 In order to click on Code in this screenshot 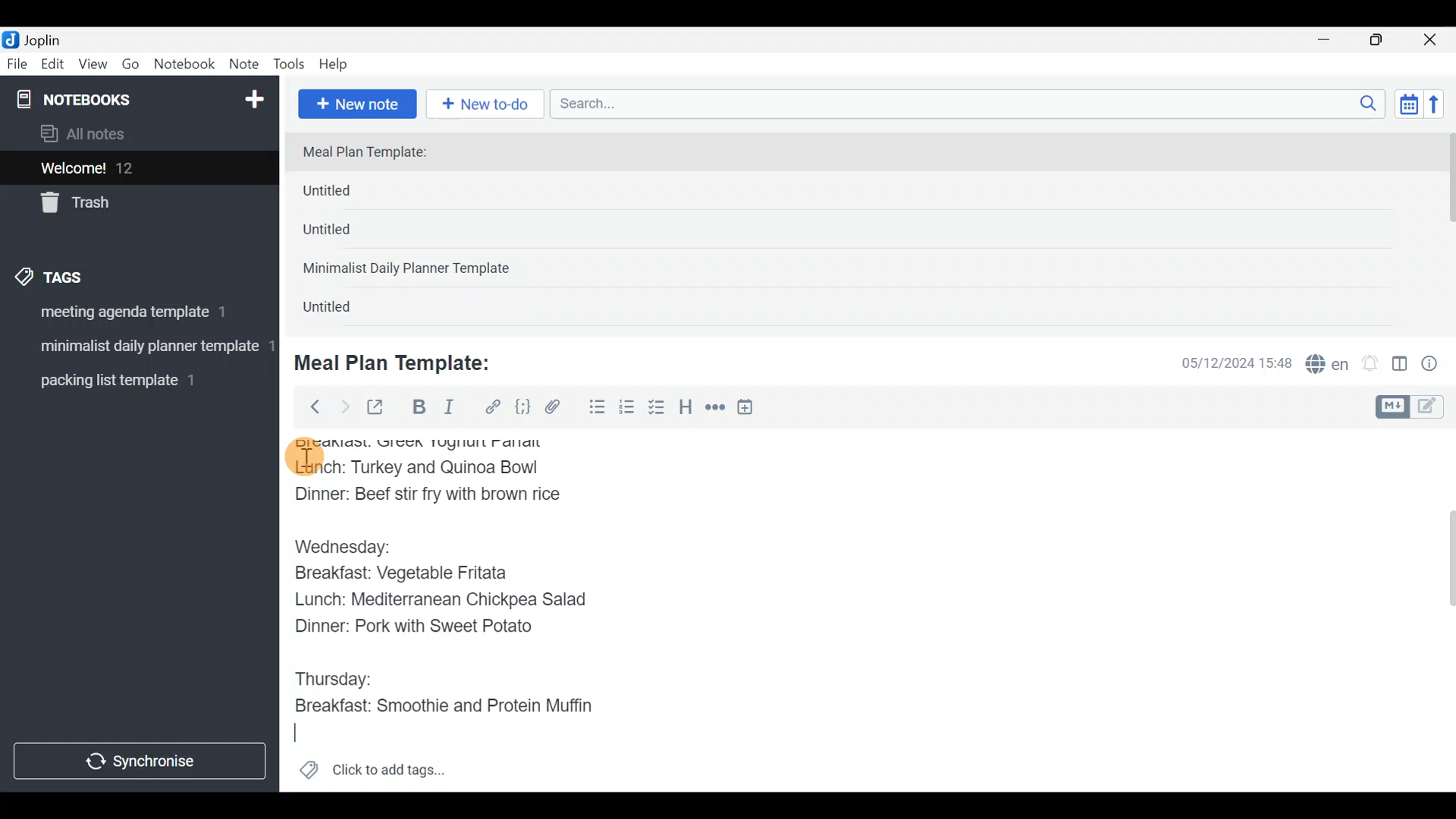, I will do `click(521, 406)`.